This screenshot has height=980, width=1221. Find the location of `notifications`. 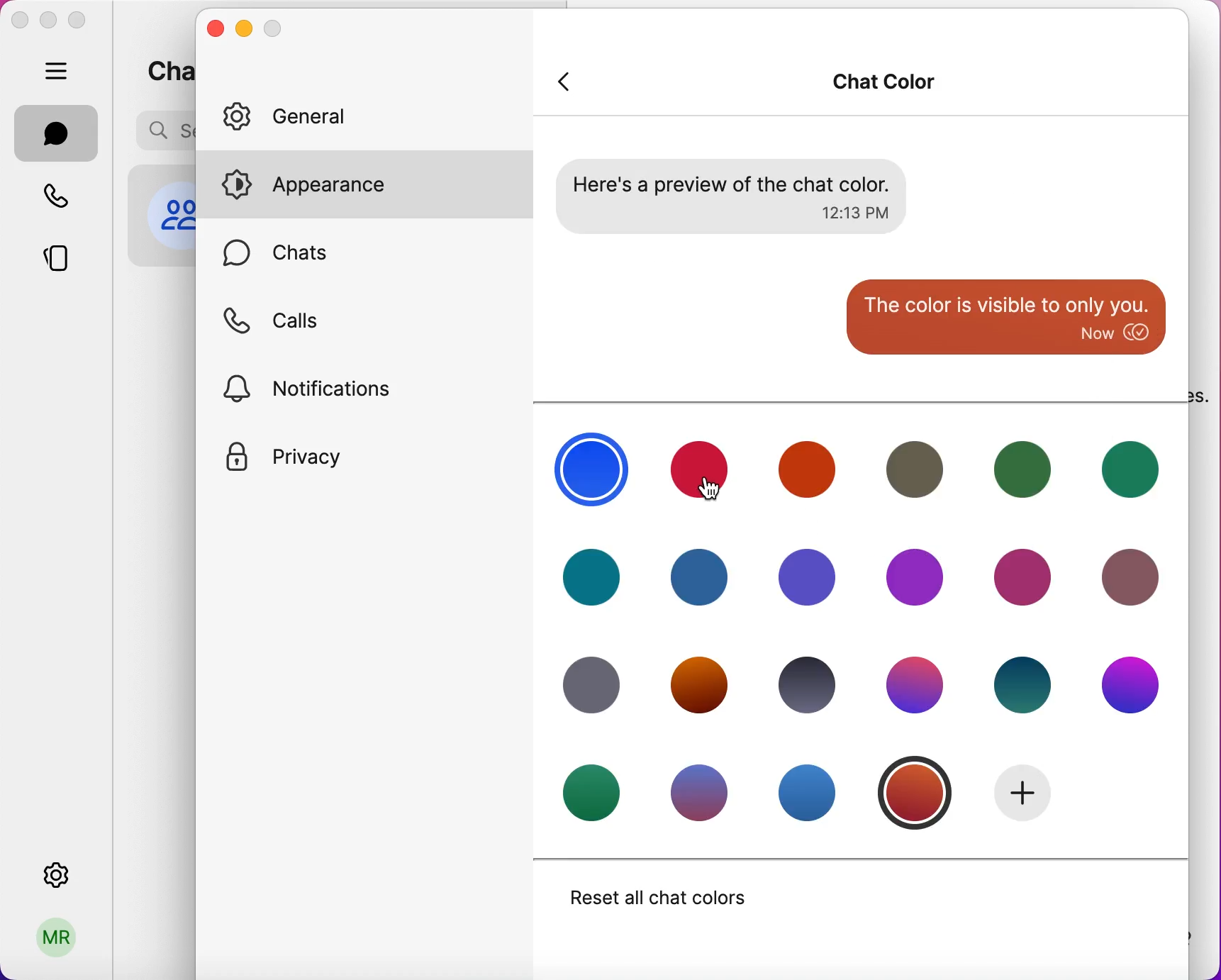

notifications is located at coordinates (316, 387).